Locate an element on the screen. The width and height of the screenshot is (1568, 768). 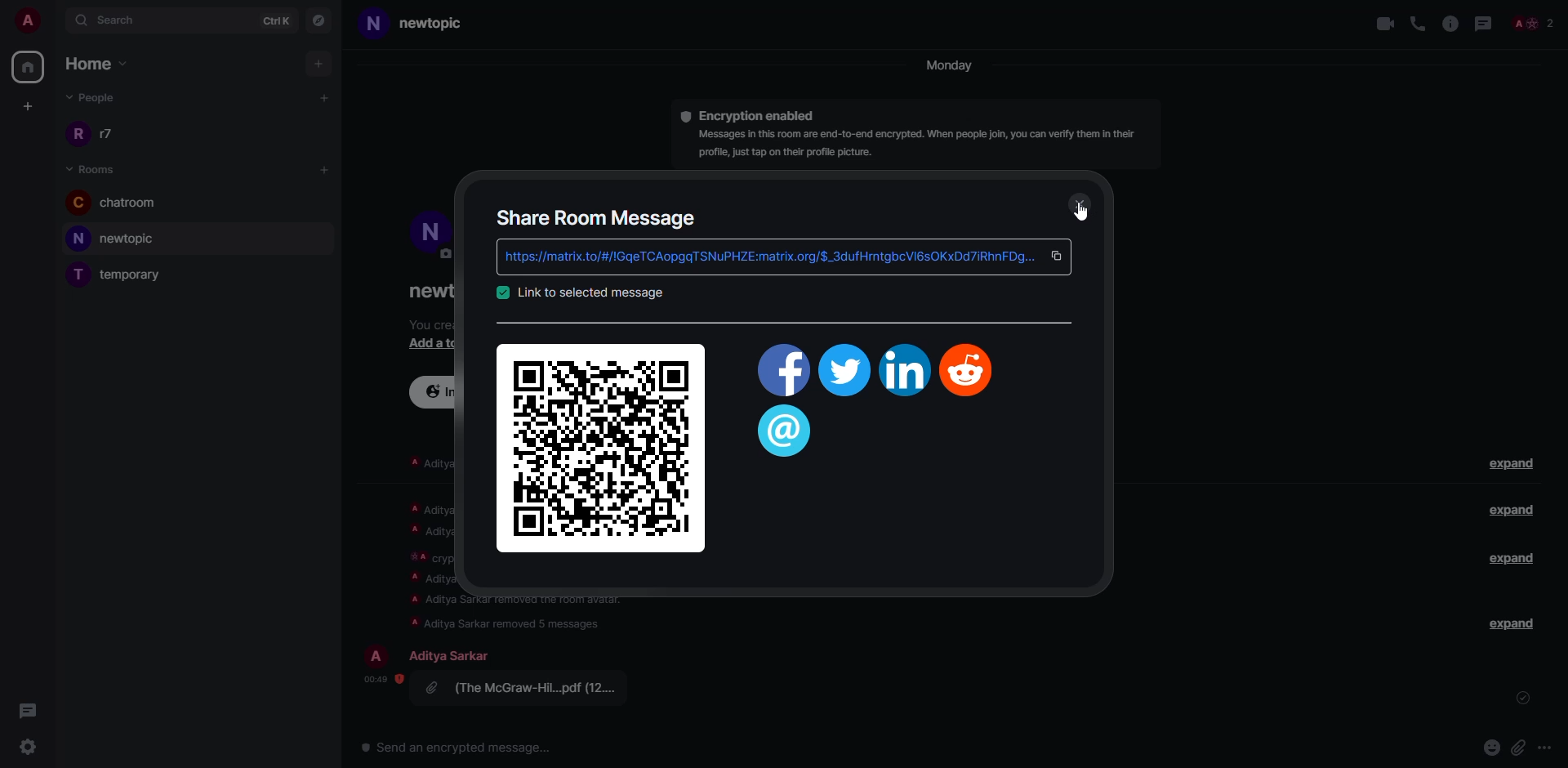
expand is located at coordinates (1507, 557).